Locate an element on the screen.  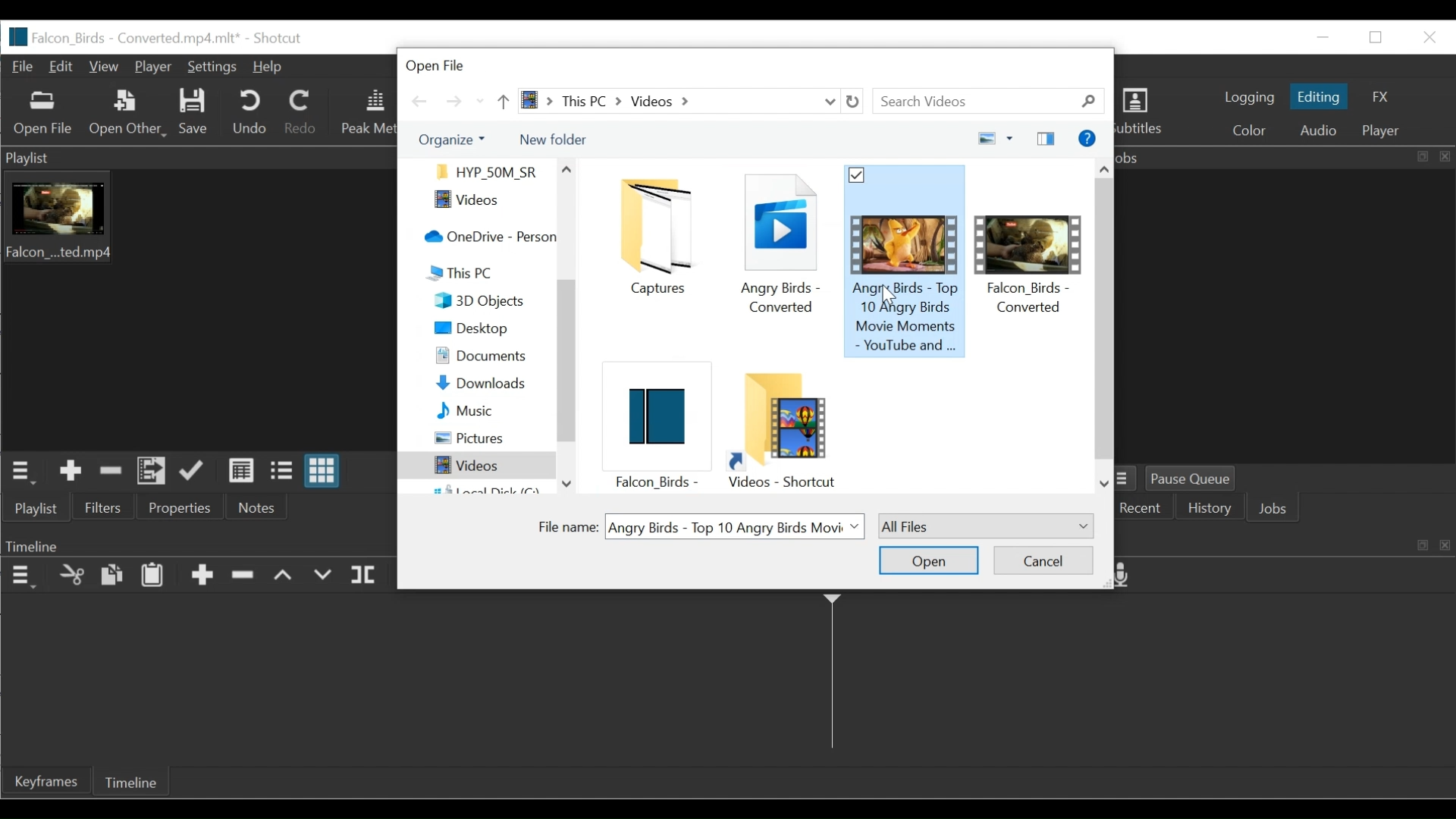
Vertical Scroll bar is located at coordinates (566, 378).